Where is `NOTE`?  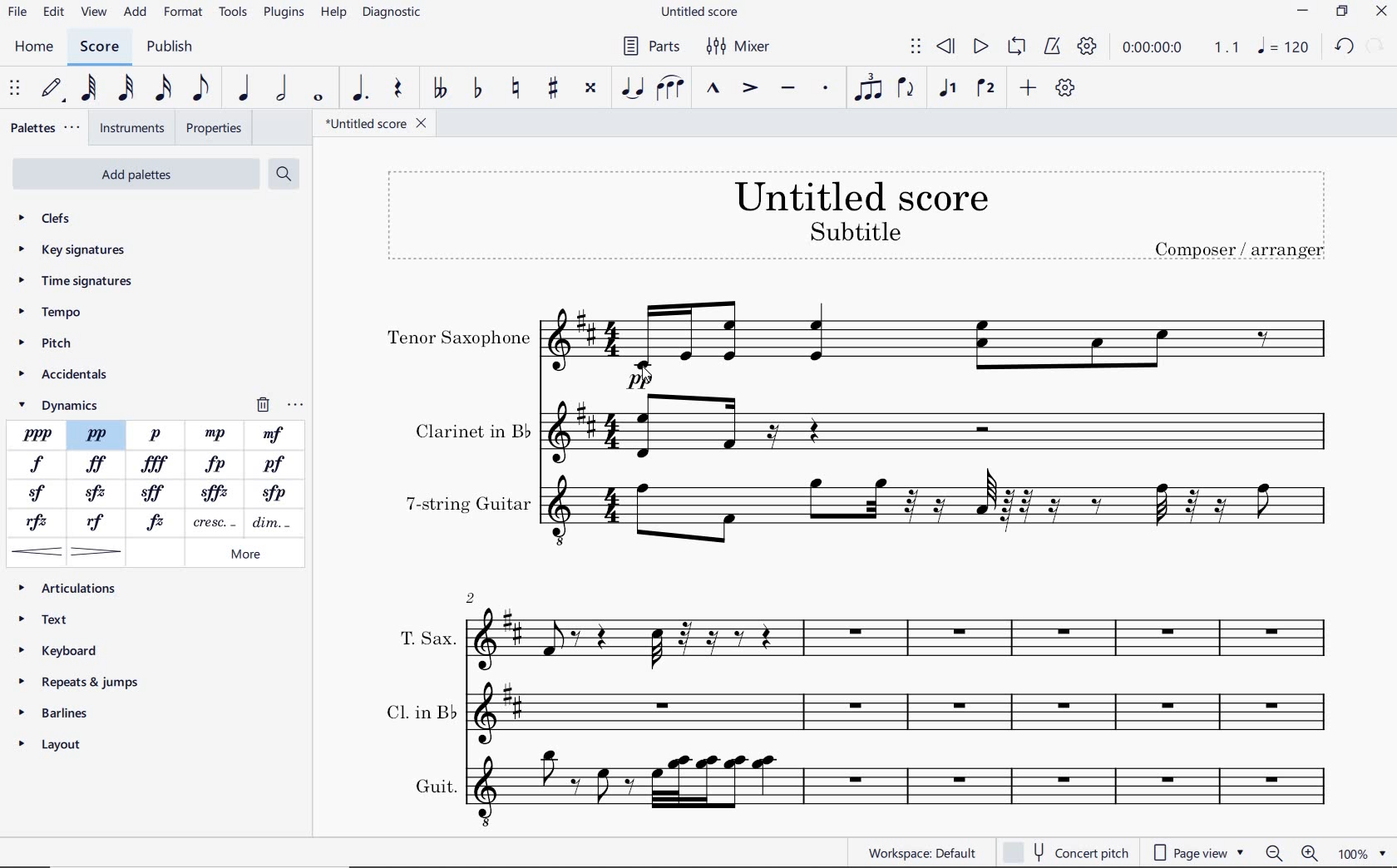 NOTE is located at coordinates (1284, 48).